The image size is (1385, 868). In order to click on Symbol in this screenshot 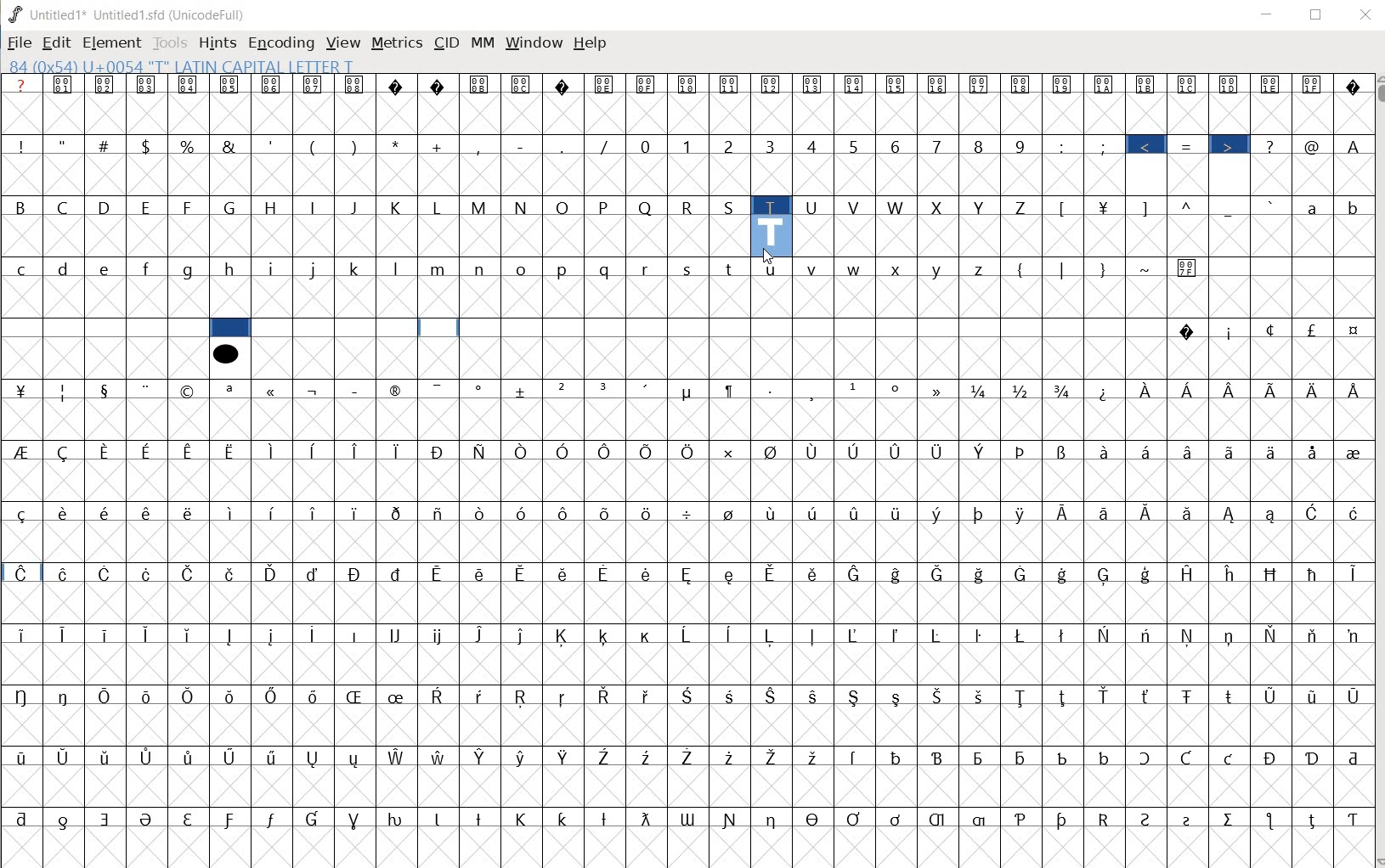, I will do `click(23, 695)`.